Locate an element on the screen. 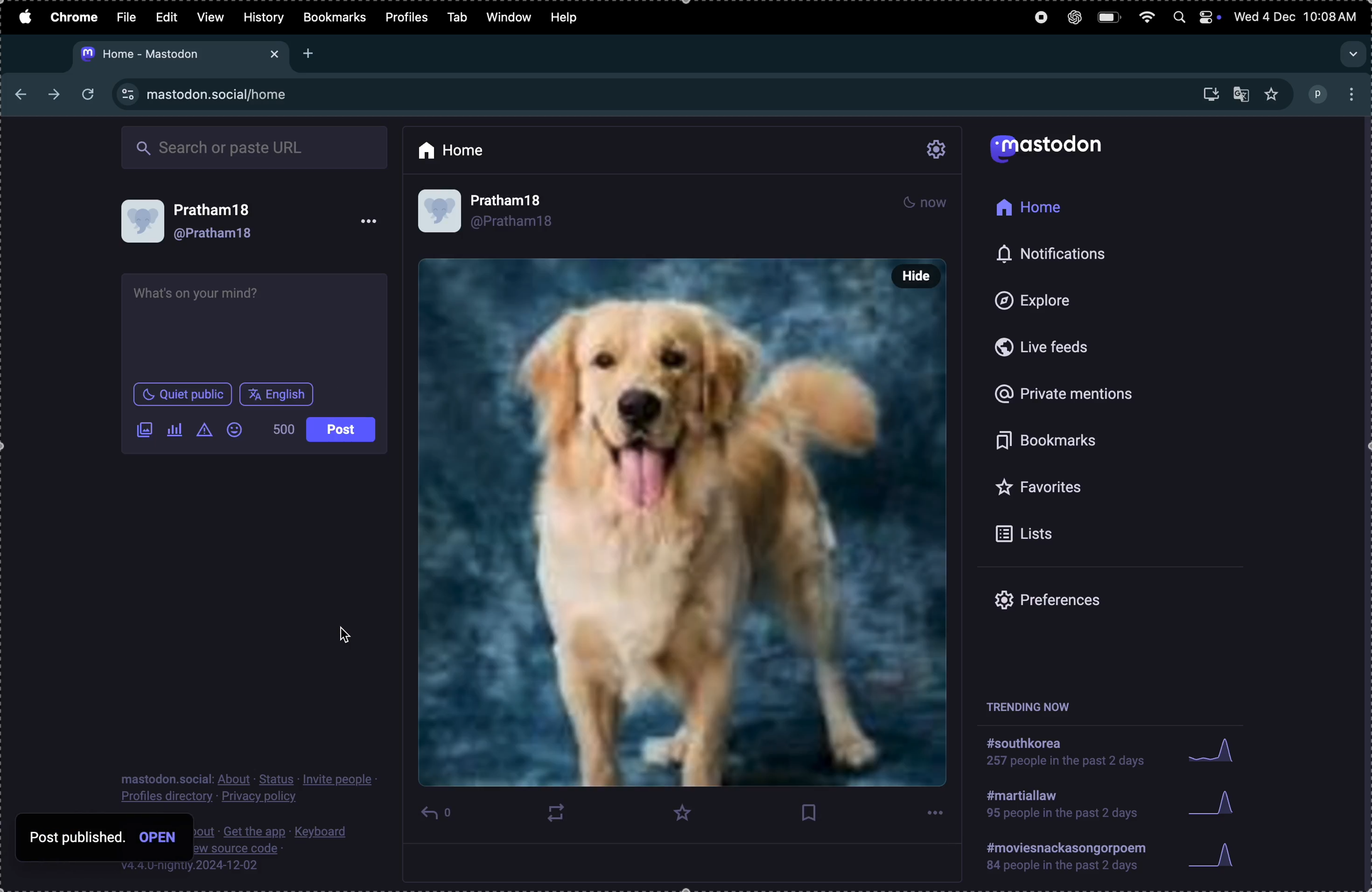 The image size is (1372, 892). help is located at coordinates (570, 14).